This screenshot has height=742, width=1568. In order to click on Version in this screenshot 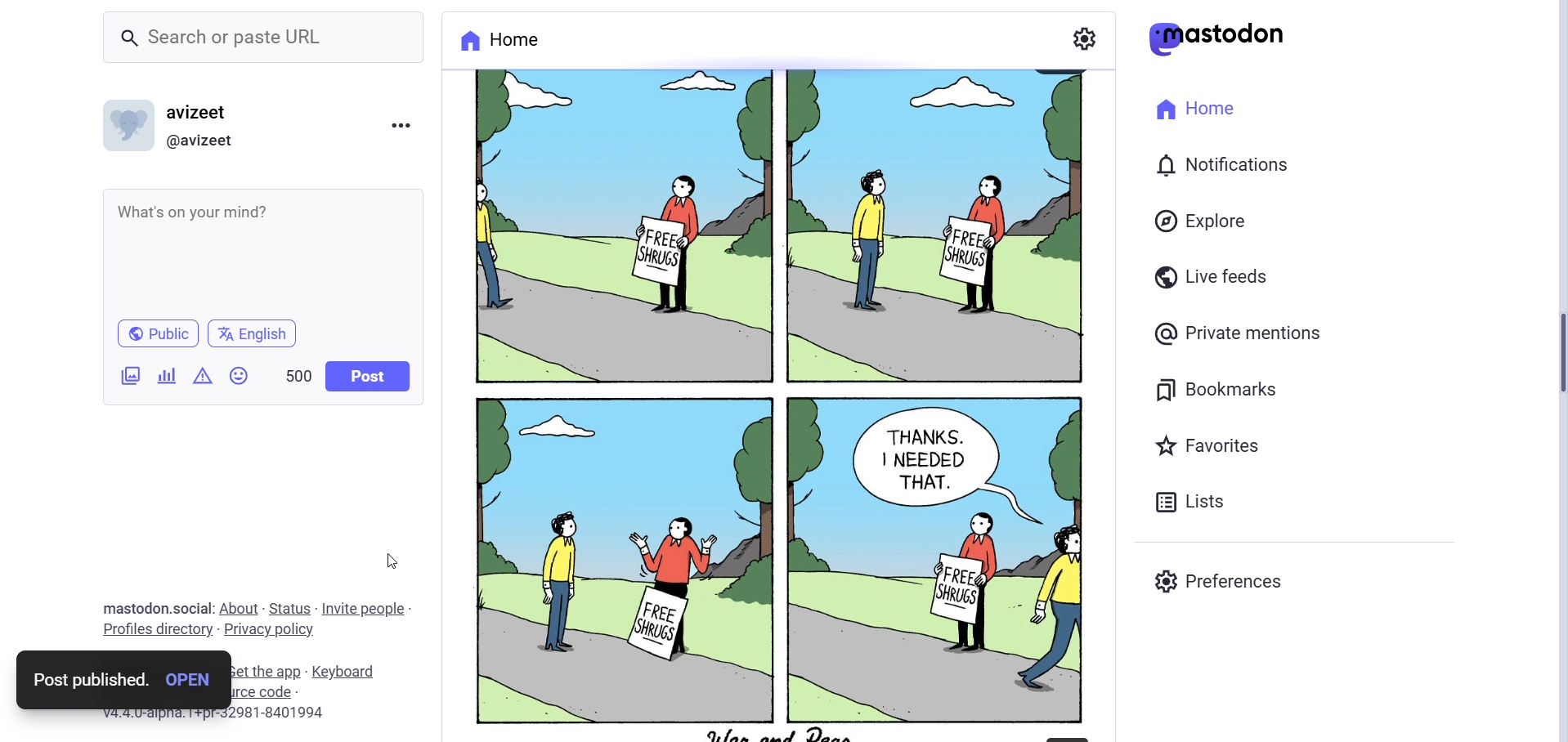, I will do `click(213, 714)`.